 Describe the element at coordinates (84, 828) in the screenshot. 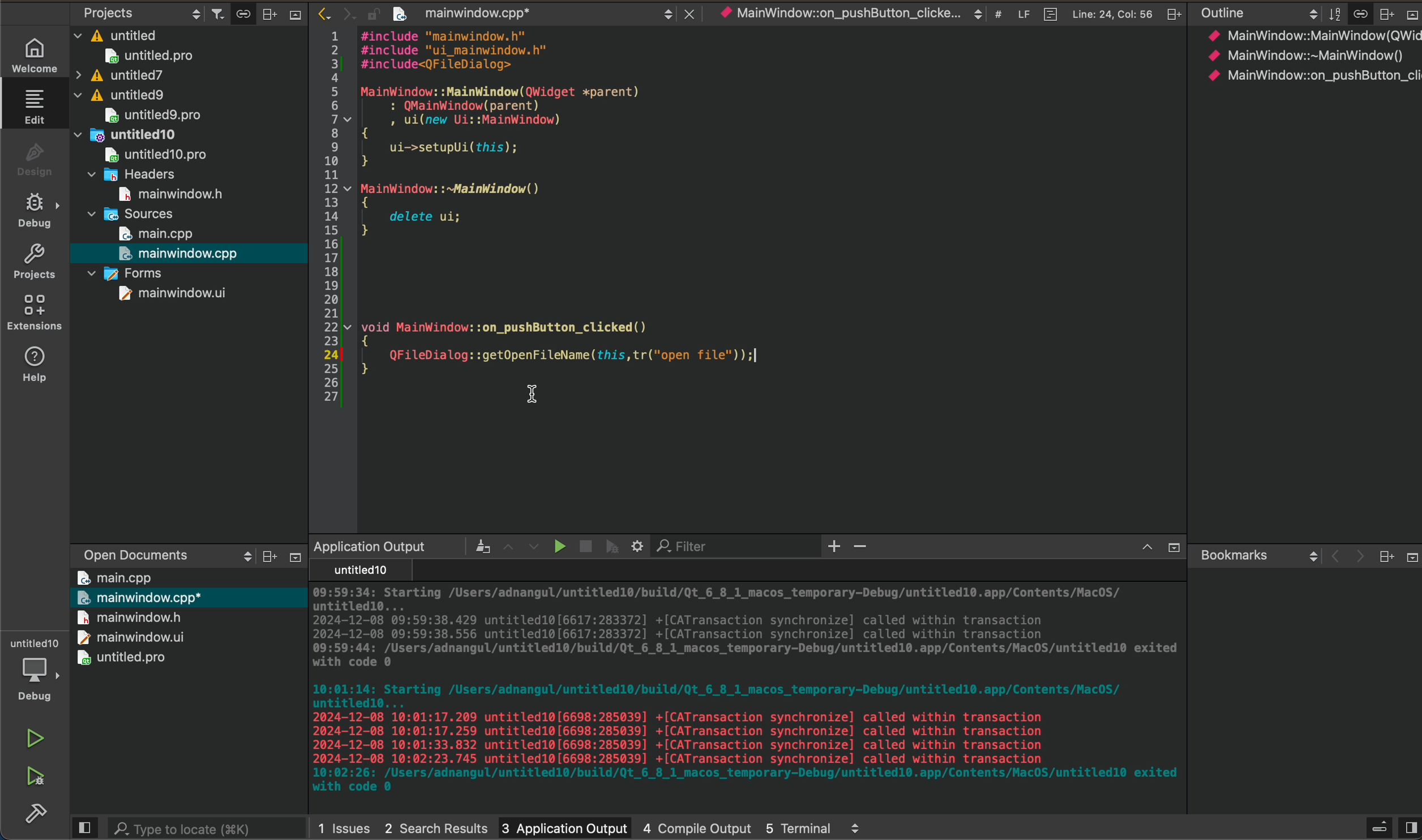

I see `split` at that location.